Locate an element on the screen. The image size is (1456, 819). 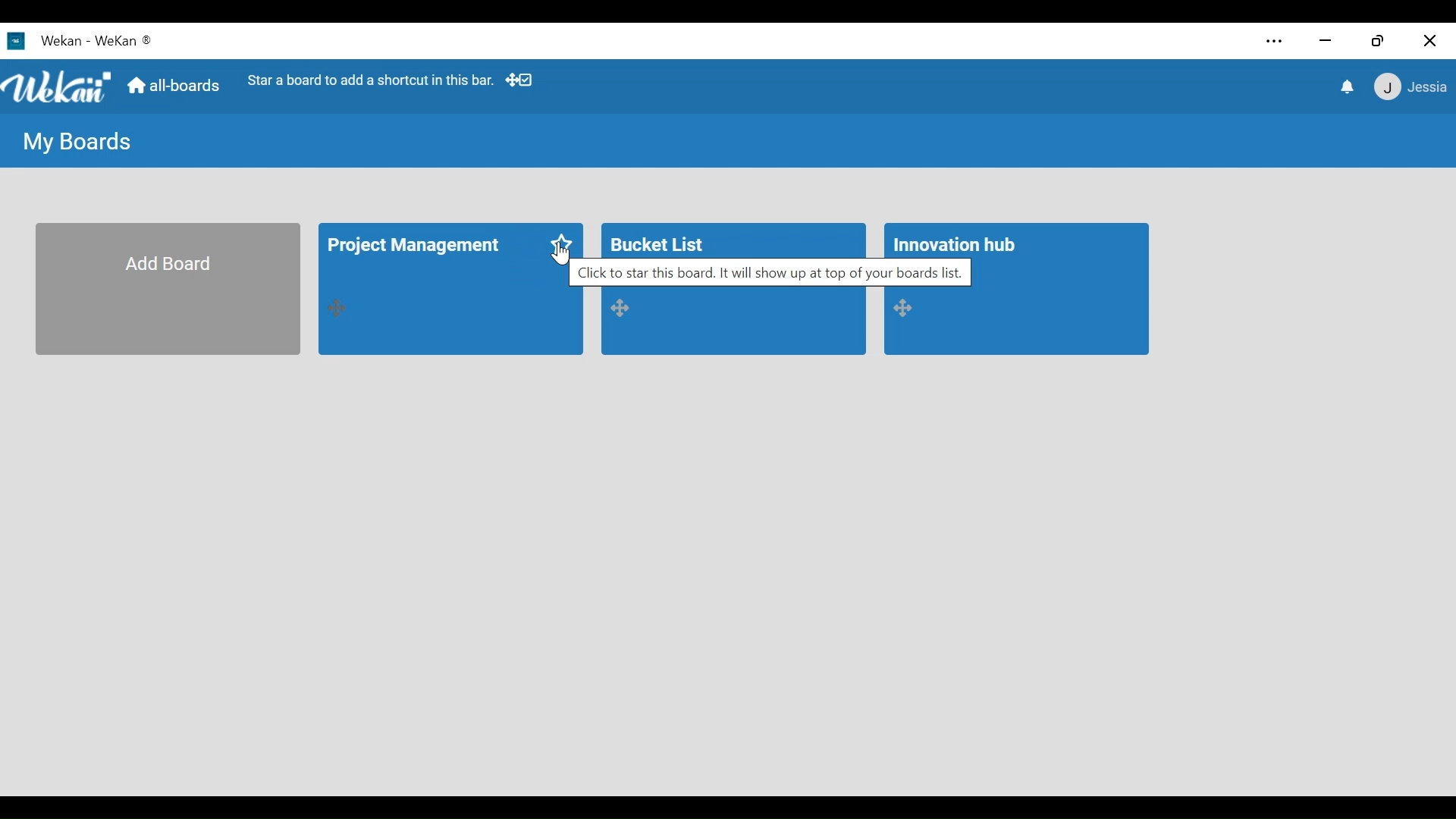
minimize is located at coordinates (1325, 42).